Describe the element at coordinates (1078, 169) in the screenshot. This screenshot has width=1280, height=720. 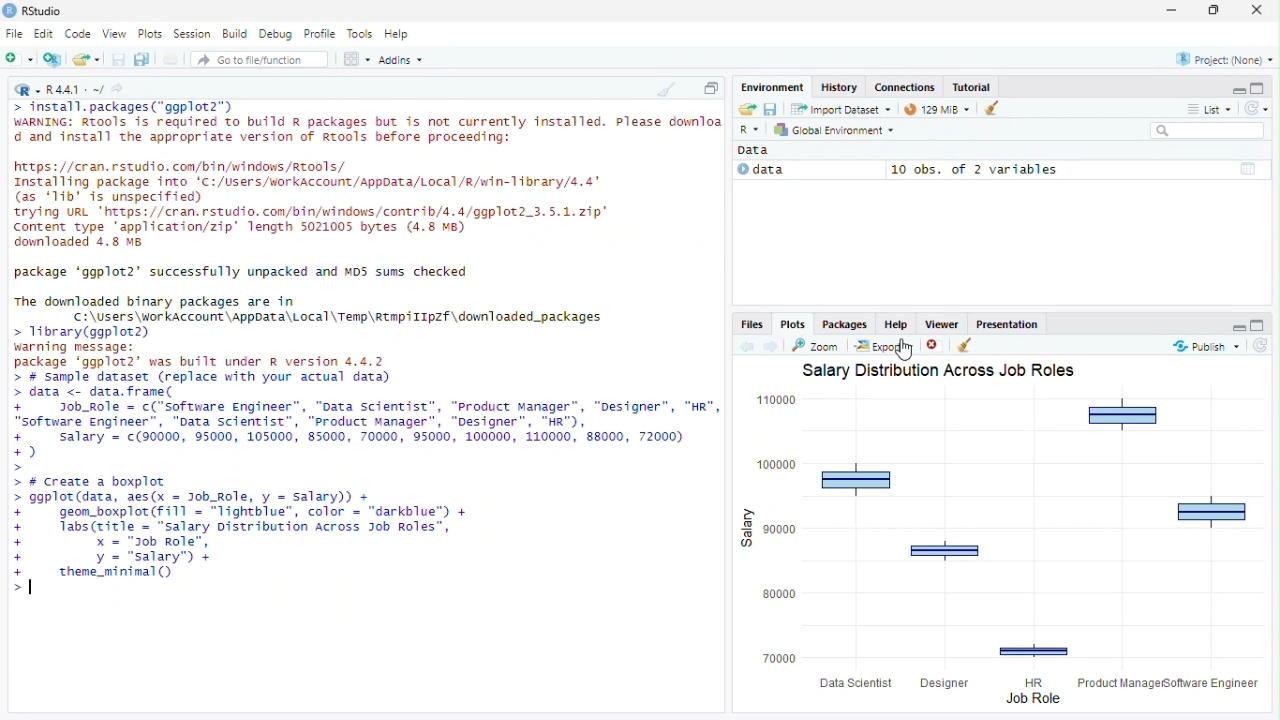
I see `10 obs, of 2 variables` at that location.